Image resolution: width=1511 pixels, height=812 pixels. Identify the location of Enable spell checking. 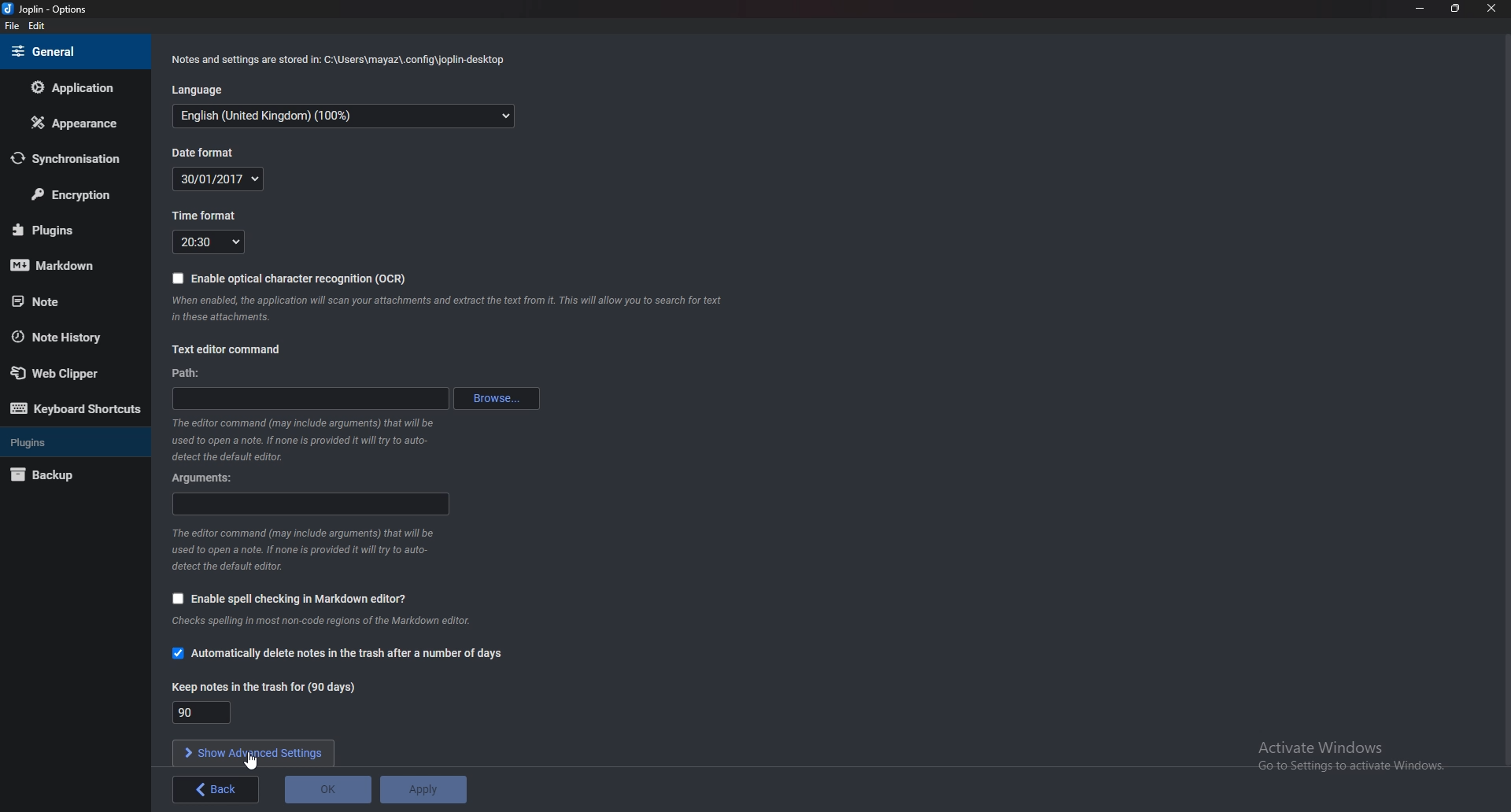
(290, 599).